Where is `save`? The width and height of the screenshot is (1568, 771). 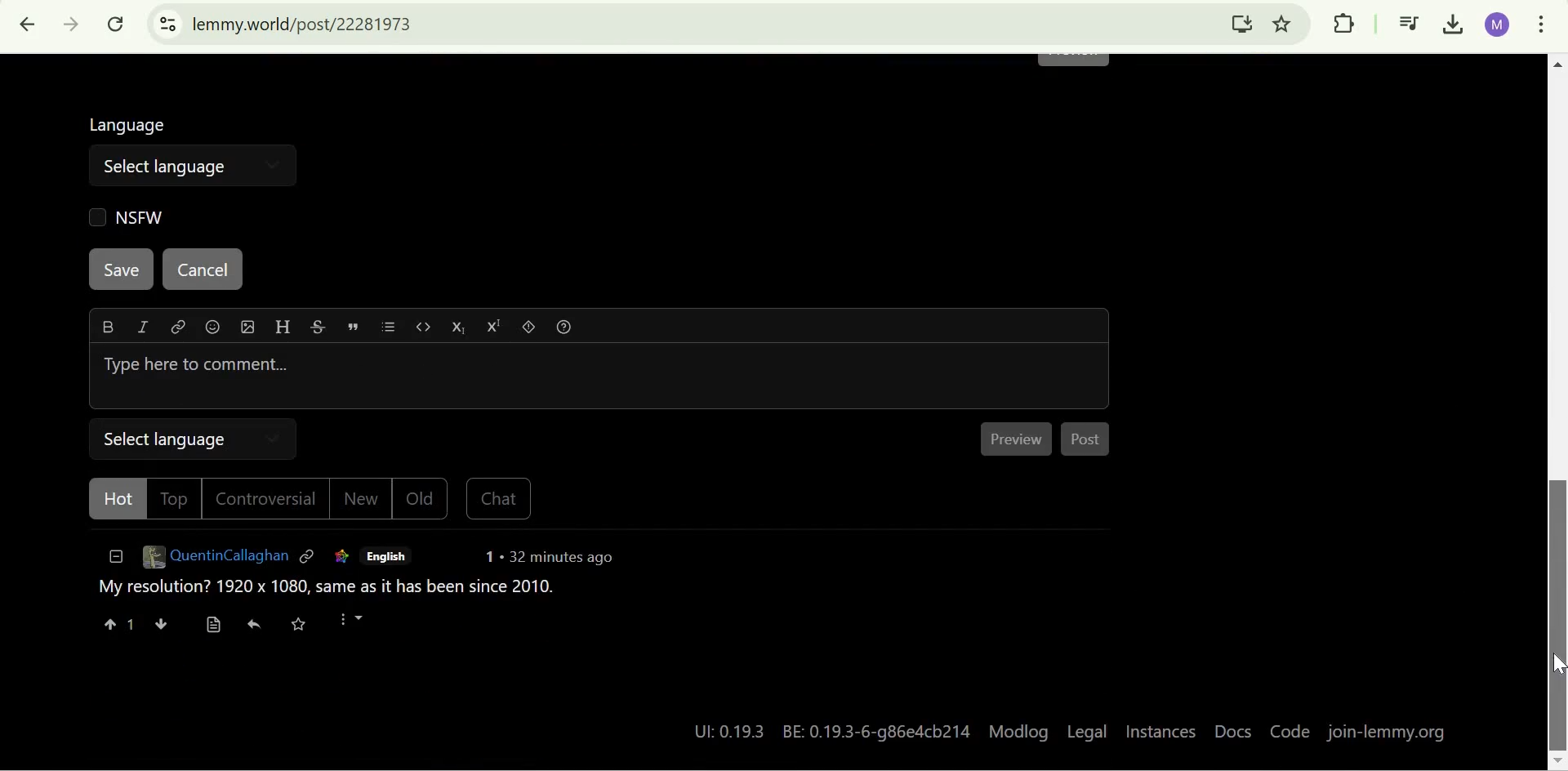 save is located at coordinates (1550, 664).